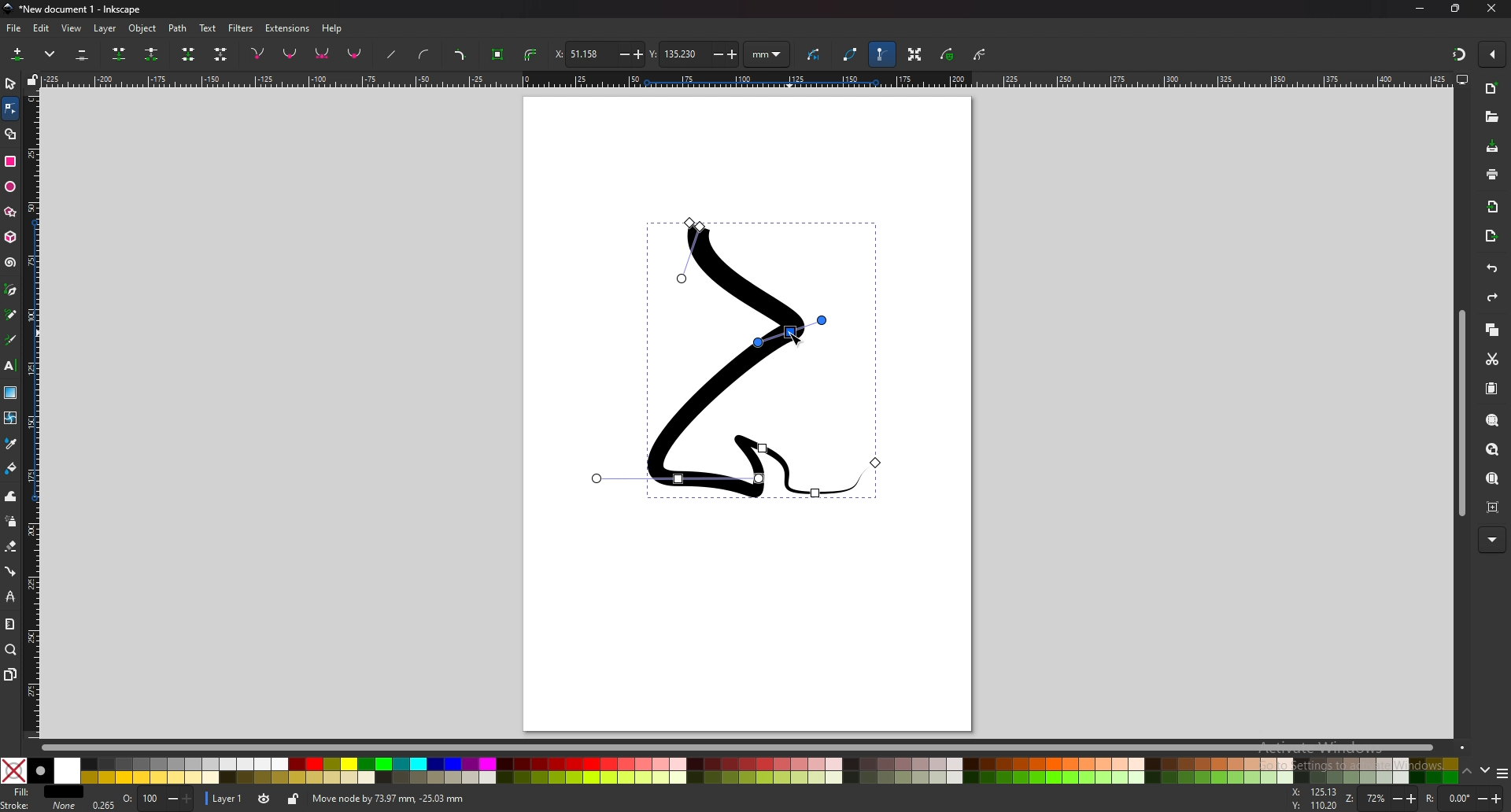 The height and width of the screenshot is (812, 1511). I want to click on star and polygon, so click(11, 212).